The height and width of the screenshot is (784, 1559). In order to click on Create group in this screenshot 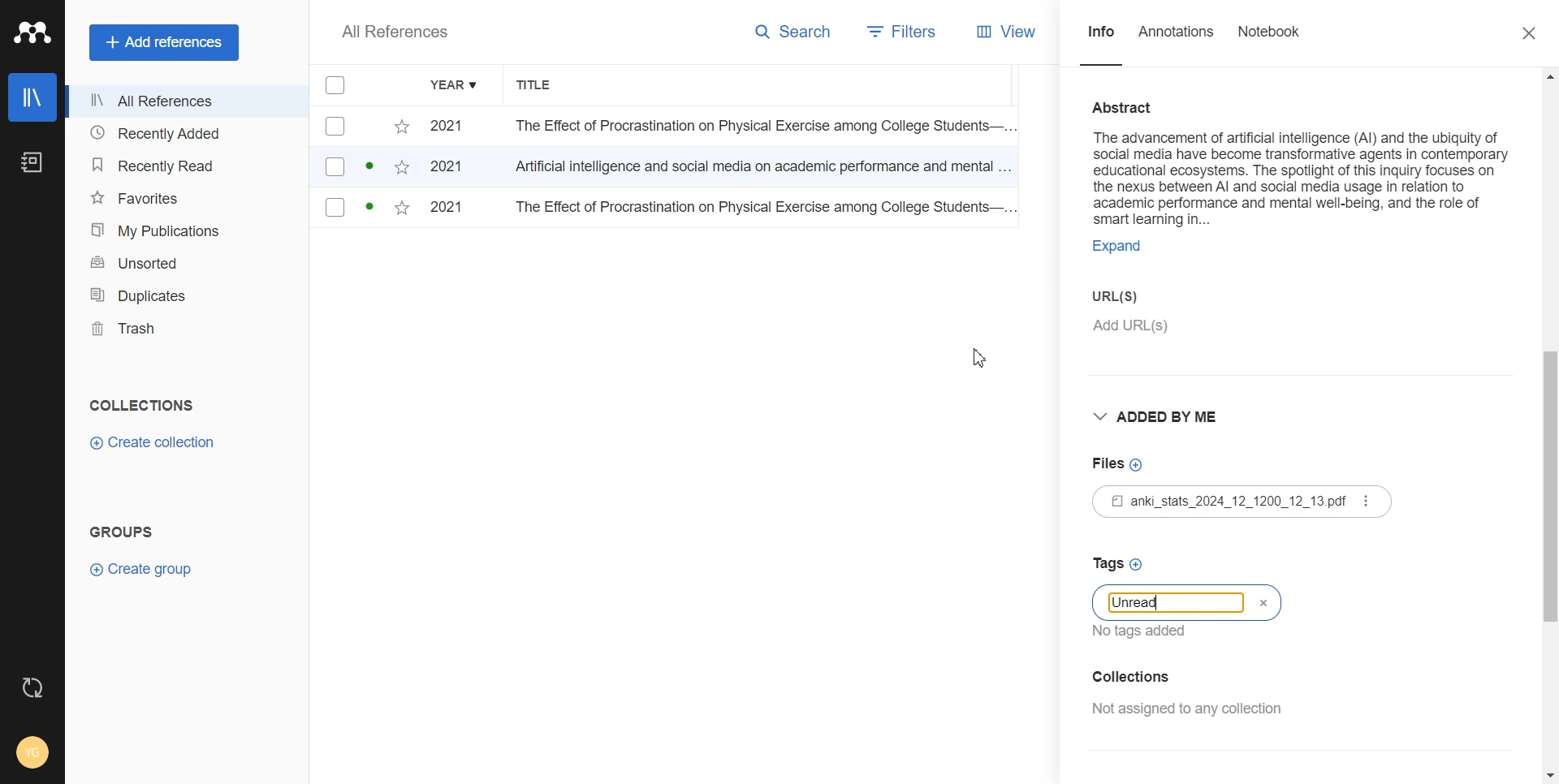, I will do `click(140, 569)`.